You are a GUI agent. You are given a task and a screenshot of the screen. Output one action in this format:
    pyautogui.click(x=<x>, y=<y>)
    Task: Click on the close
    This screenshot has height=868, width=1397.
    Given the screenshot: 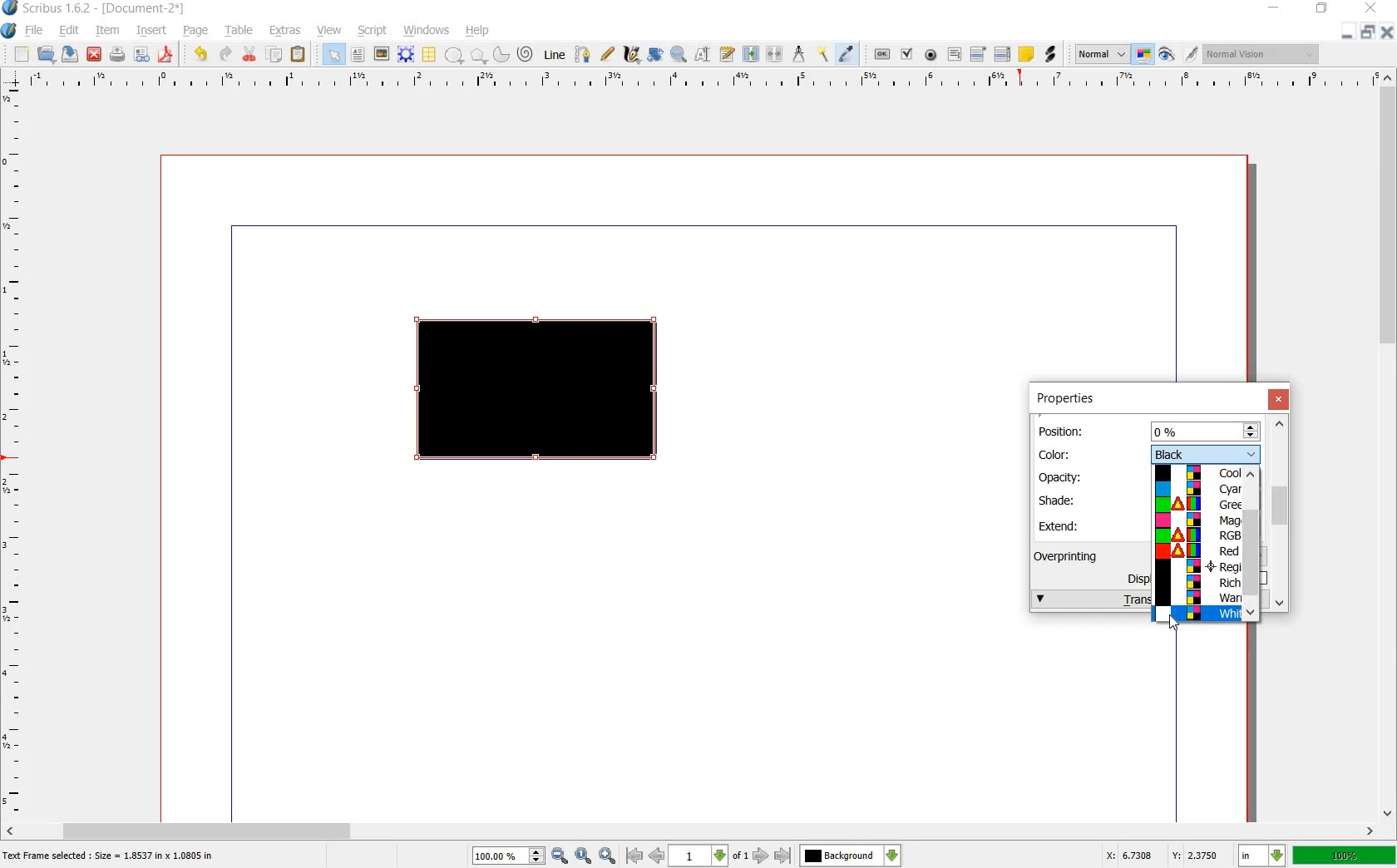 What is the action you would take?
    pyautogui.click(x=1374, y=7)
    